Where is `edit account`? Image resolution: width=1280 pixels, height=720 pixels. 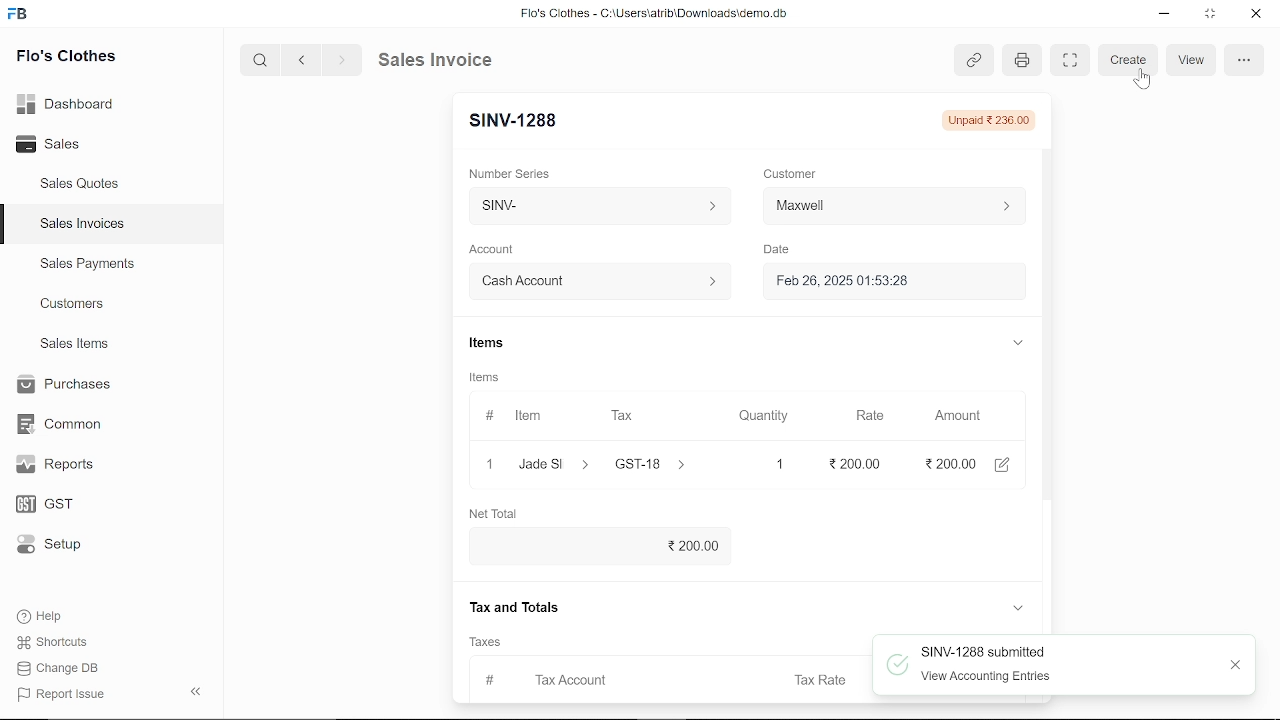
edit account is located at coordinates (1006, 463).